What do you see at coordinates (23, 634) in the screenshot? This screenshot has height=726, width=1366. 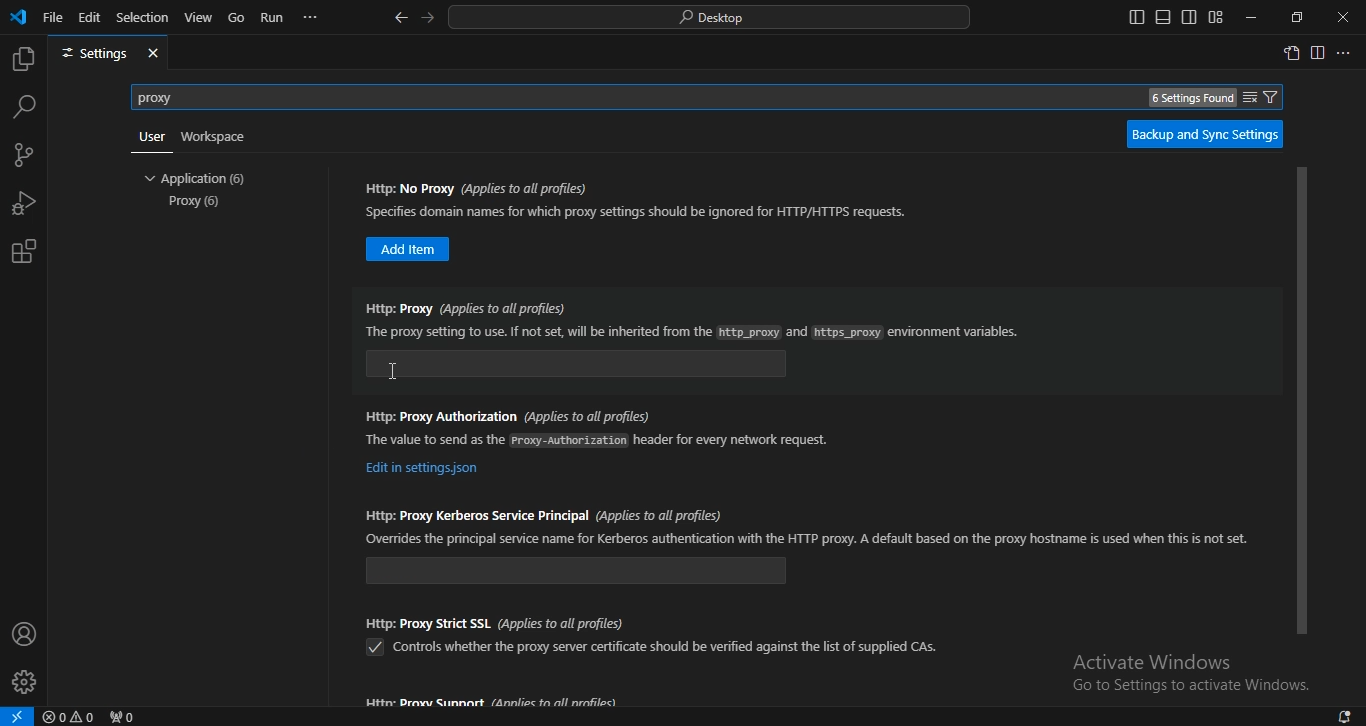 I see `accounts` at bounding box center [23, 634].